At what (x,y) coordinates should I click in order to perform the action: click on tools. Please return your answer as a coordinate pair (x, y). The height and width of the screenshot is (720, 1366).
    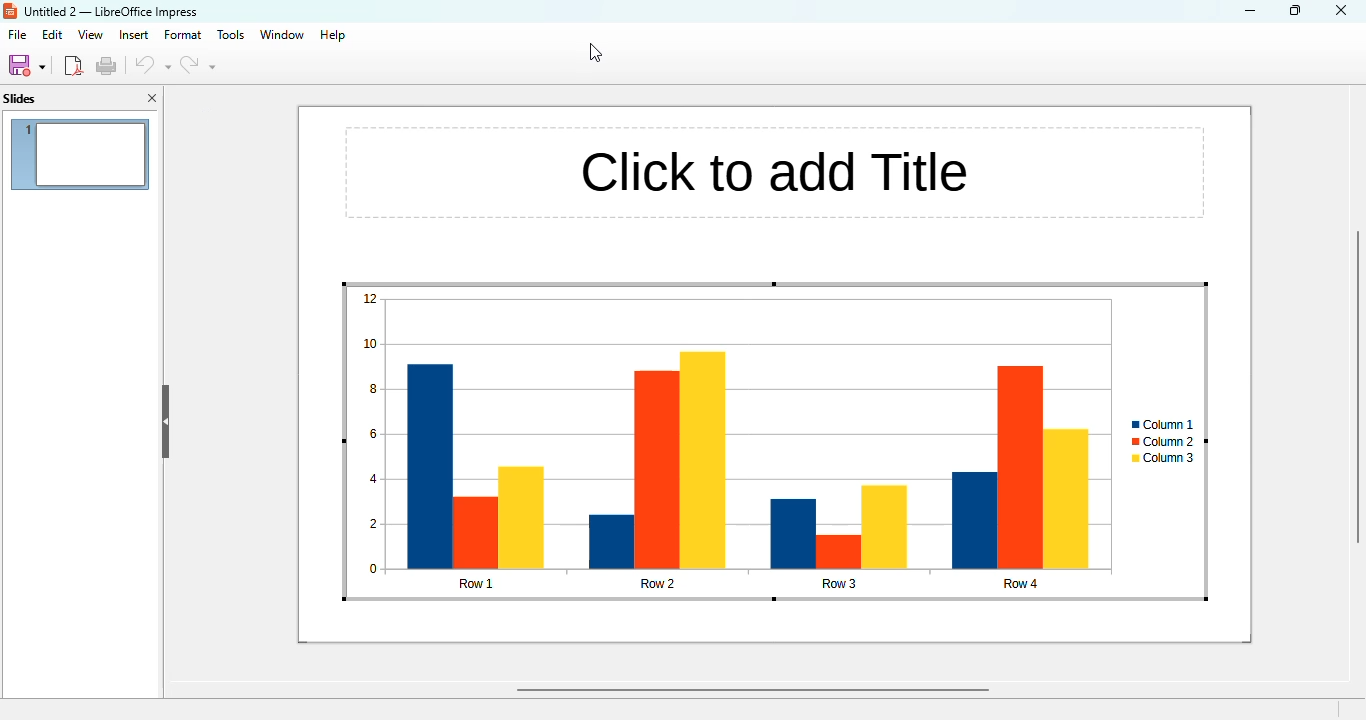
    Looking at the image, I should click on (234, 34).